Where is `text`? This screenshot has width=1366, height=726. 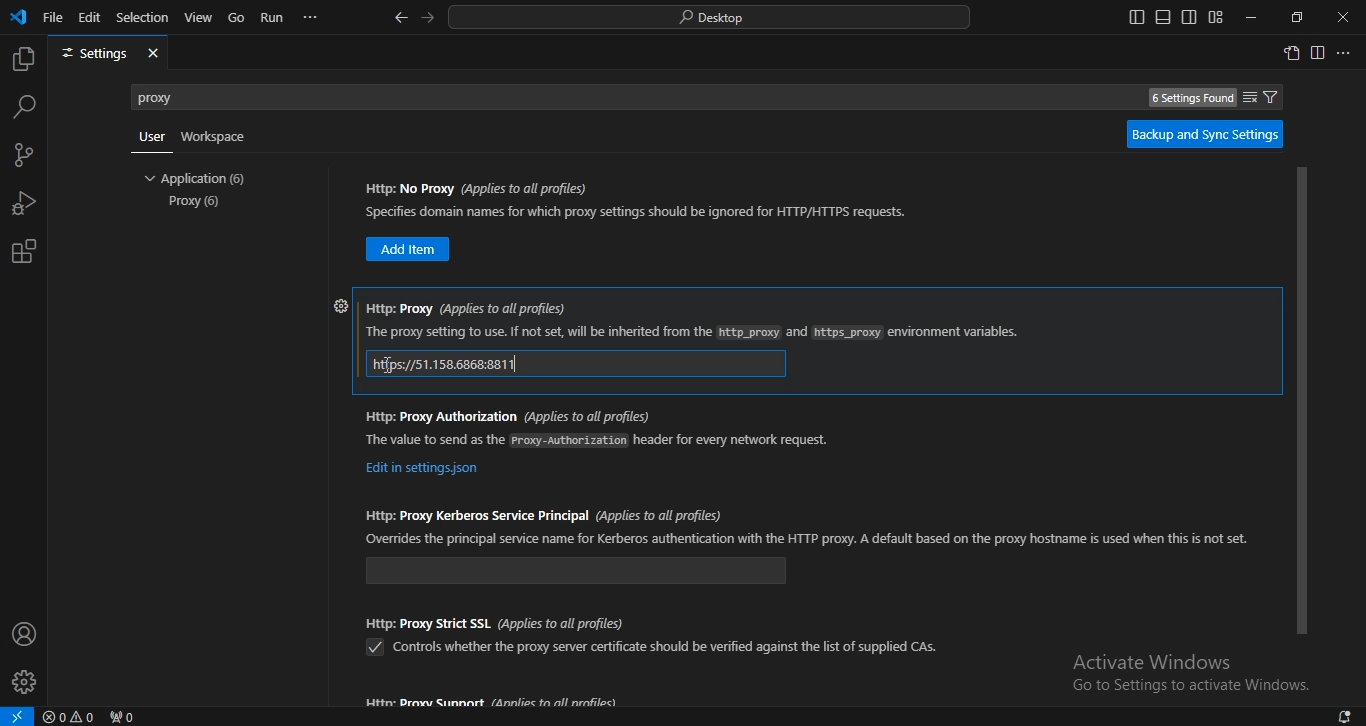
text is located at coordinates (1193, 688).